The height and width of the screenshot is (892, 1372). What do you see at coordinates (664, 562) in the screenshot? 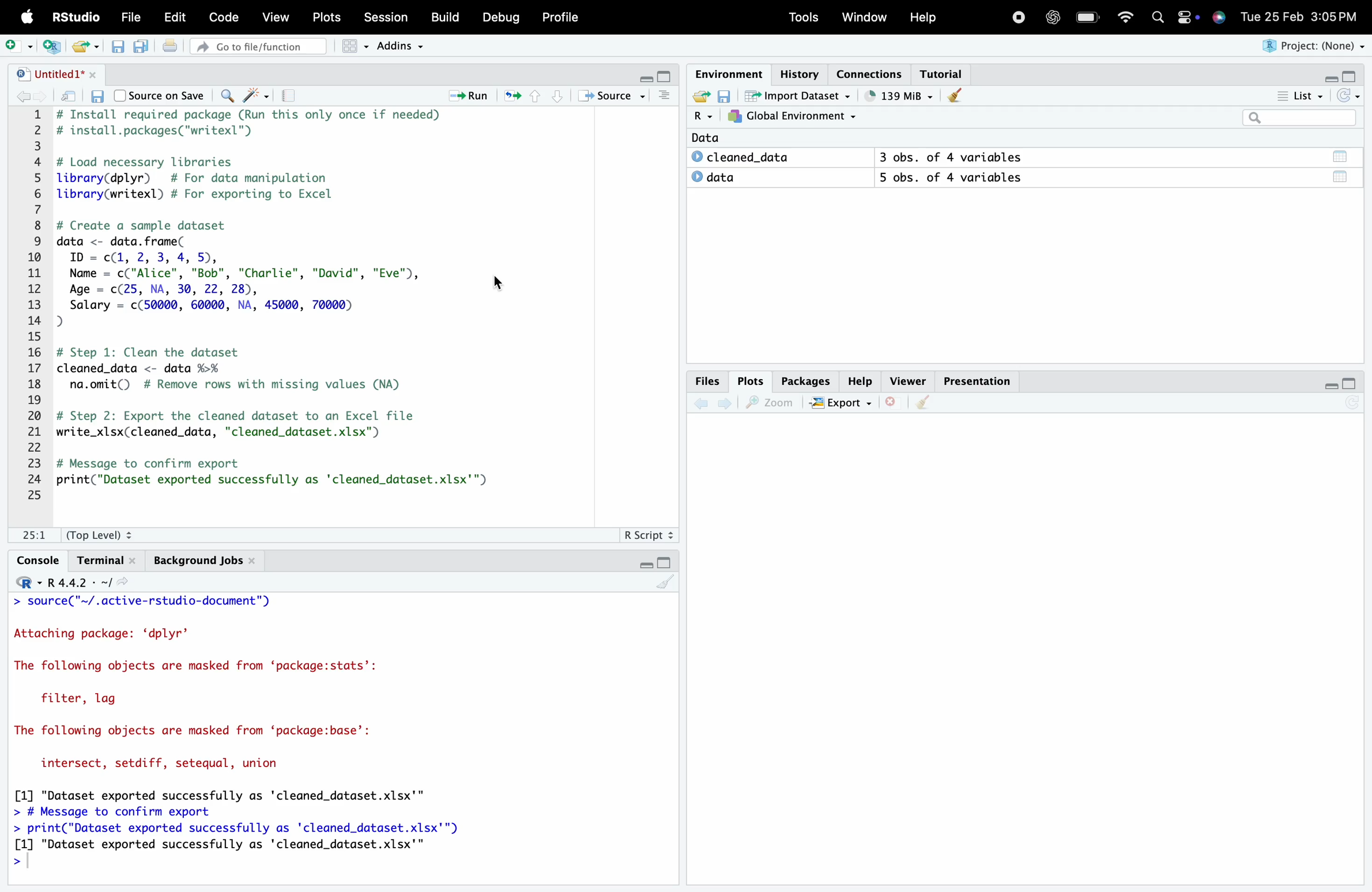
I see `Maximize` at bounding box center [664, 562].